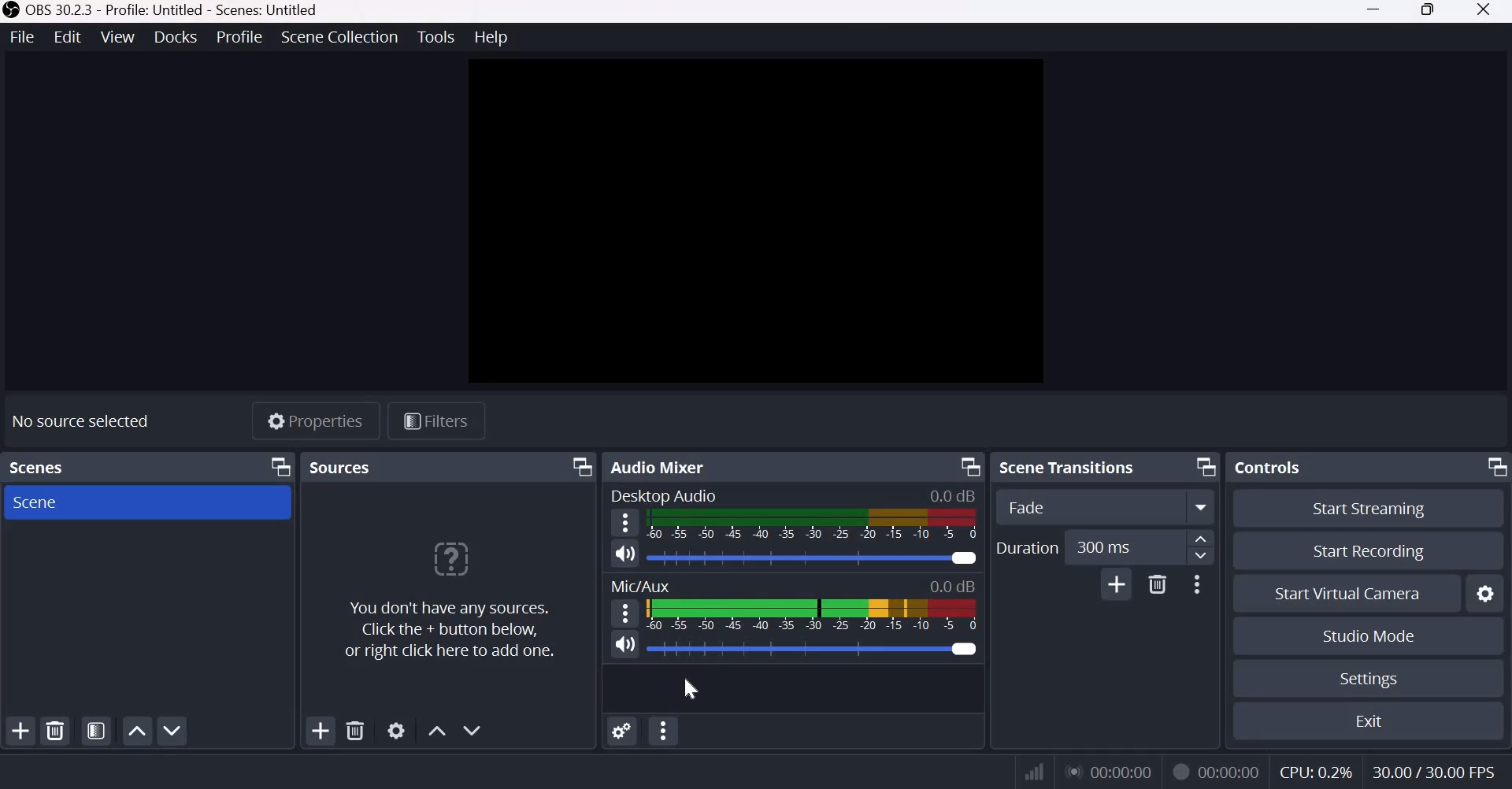  I want to click on Minimize, so click(1373, 11).